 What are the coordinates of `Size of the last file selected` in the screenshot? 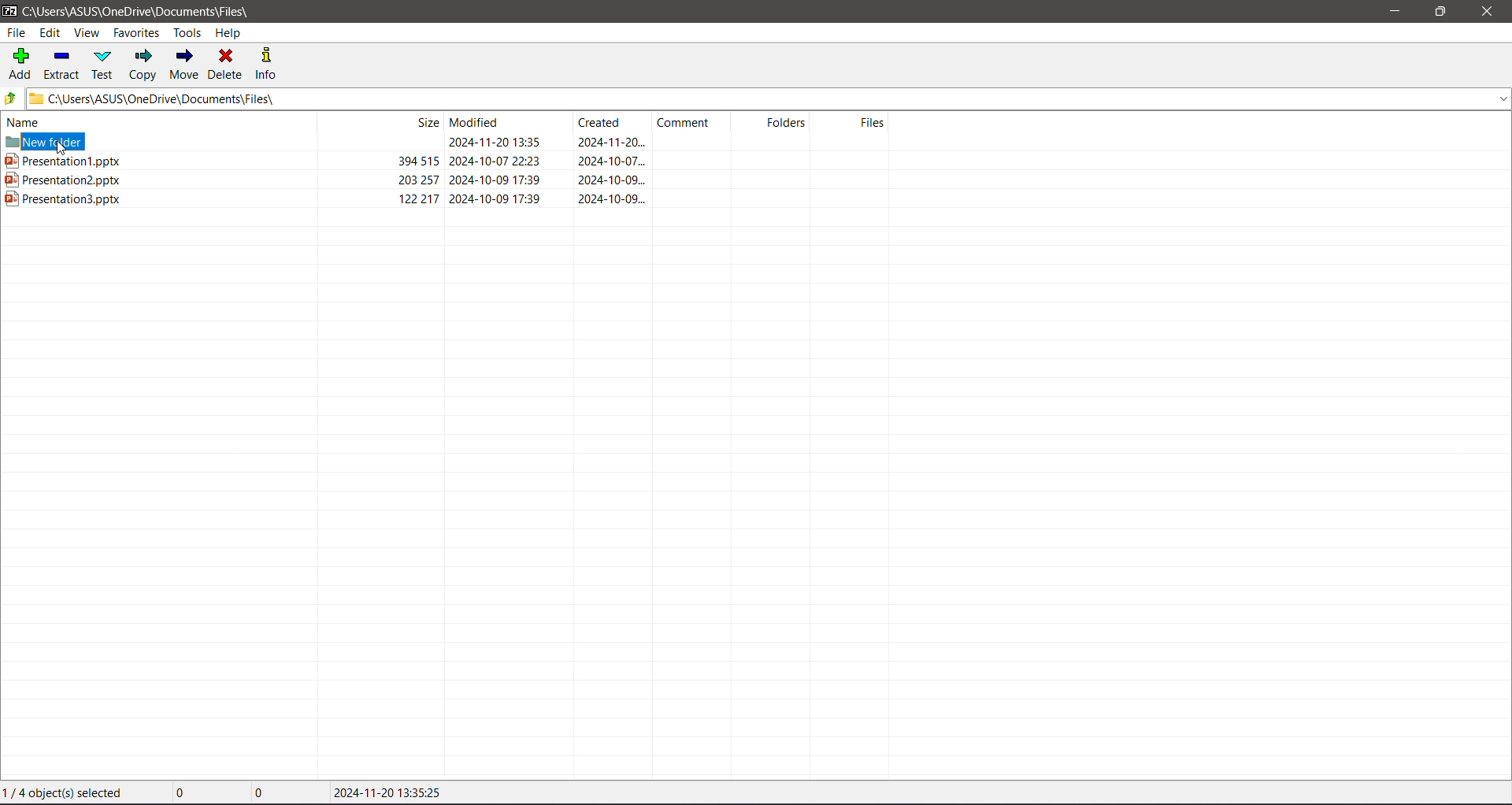 It's located at (279, 792).